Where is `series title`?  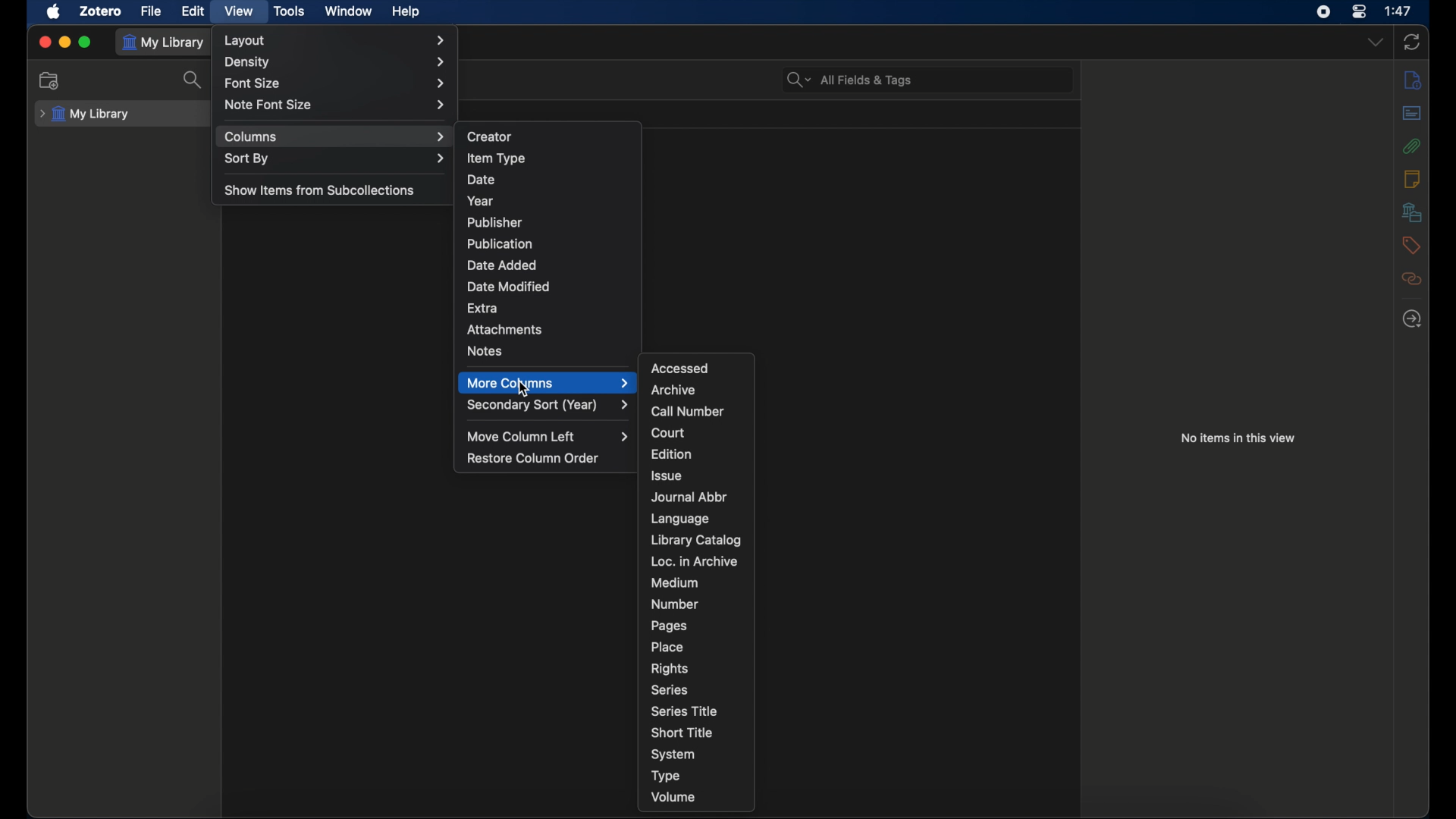
series title is located at coordinates (686, 711).